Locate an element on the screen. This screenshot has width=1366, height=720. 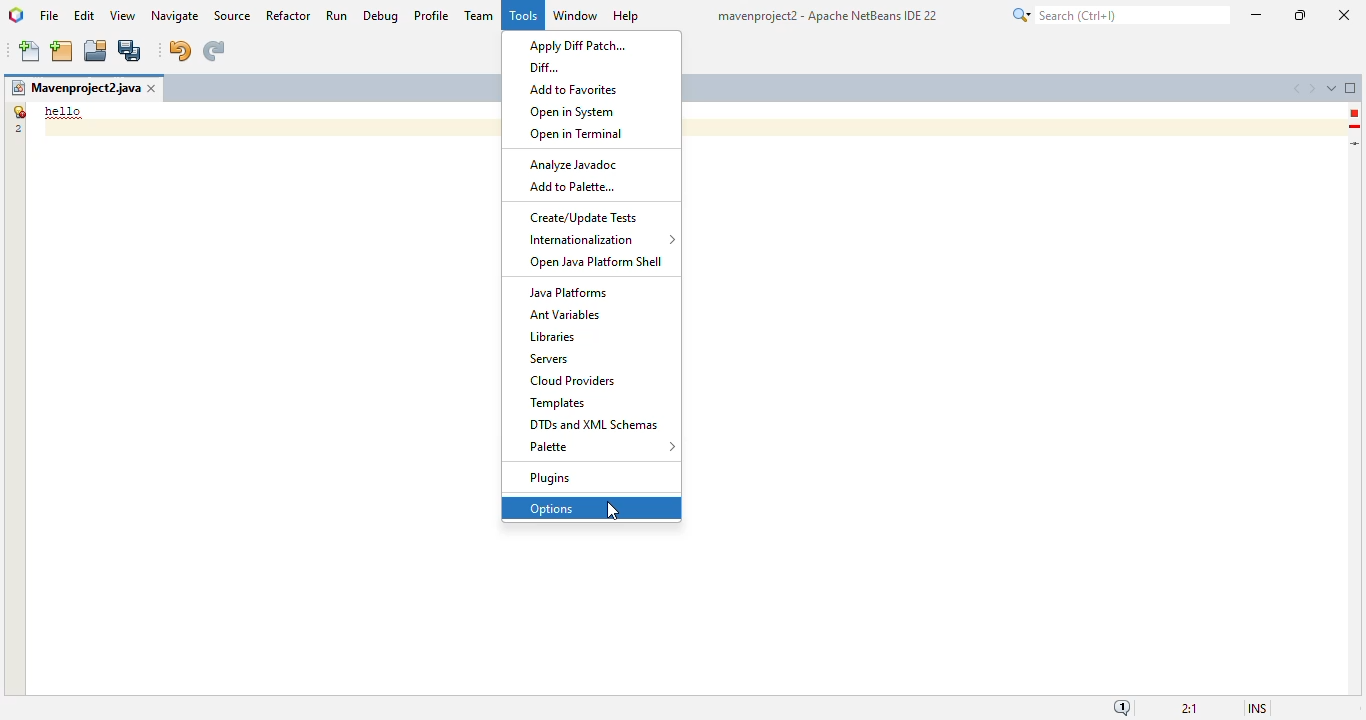
templates is located at coordinates (557, 403).